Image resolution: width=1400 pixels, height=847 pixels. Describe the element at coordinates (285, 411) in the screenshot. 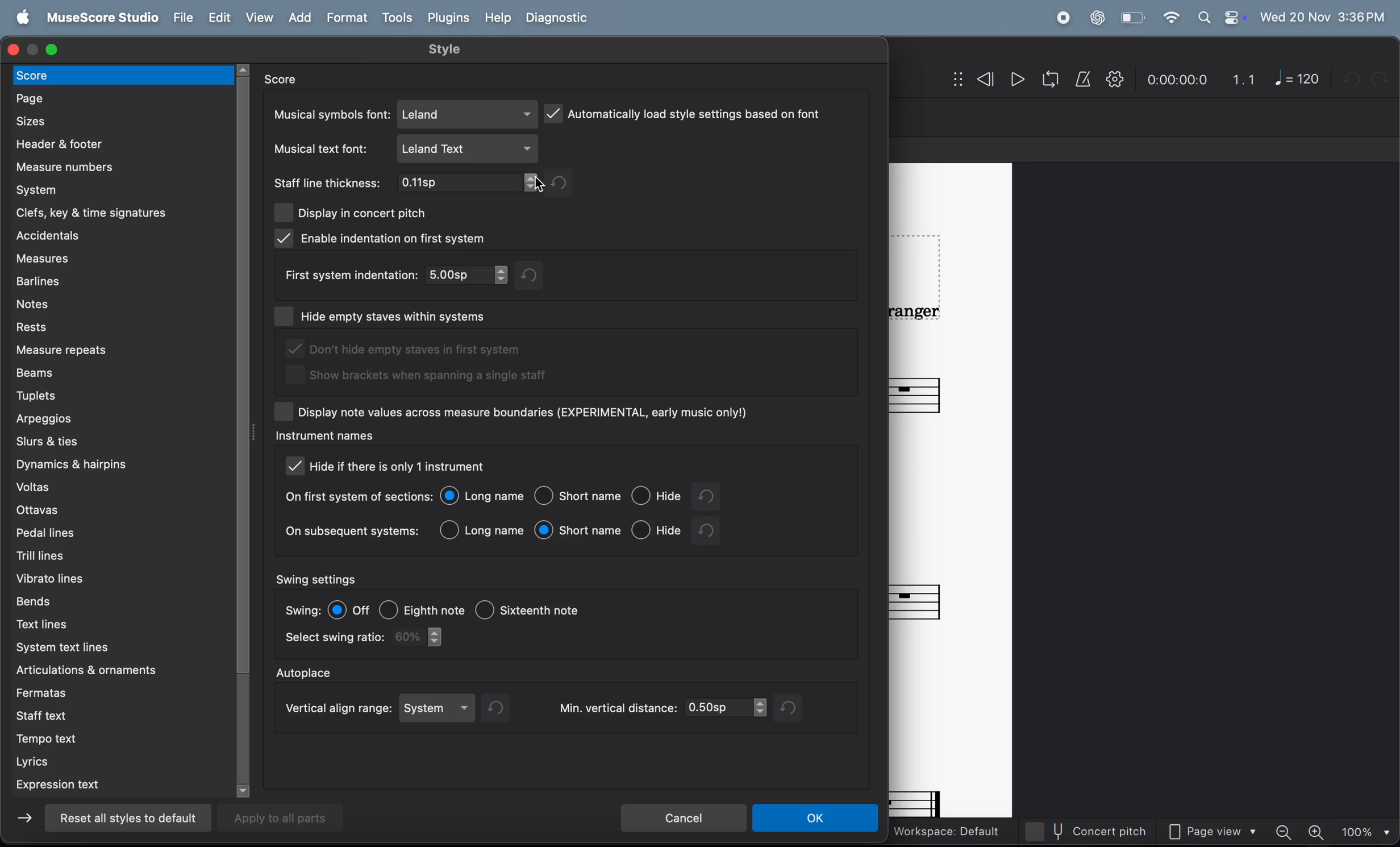

I see `checkbox` at that location.